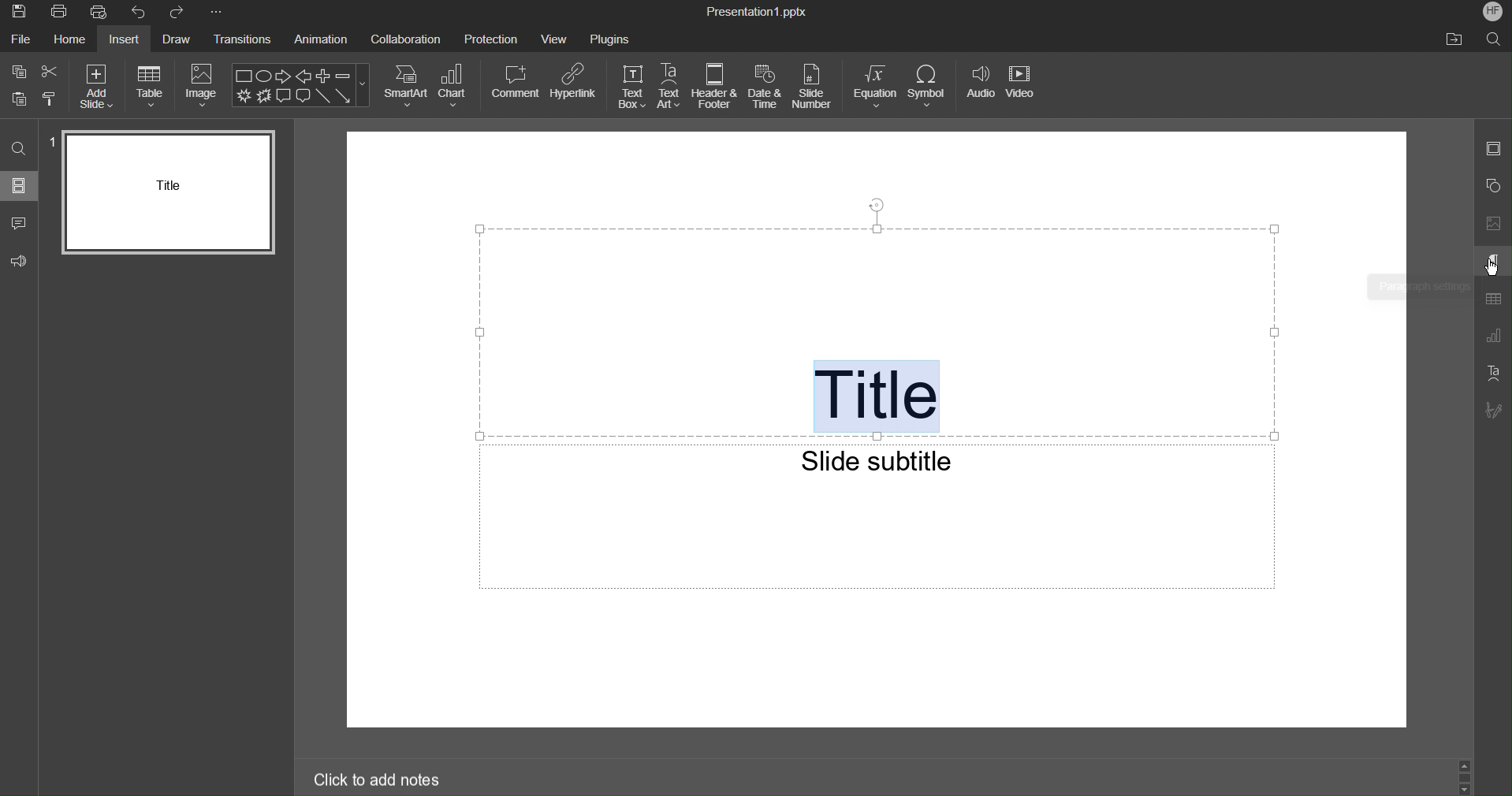 The image size is (1512, 796). I want to click on Hyperlink, so click(575, 84).